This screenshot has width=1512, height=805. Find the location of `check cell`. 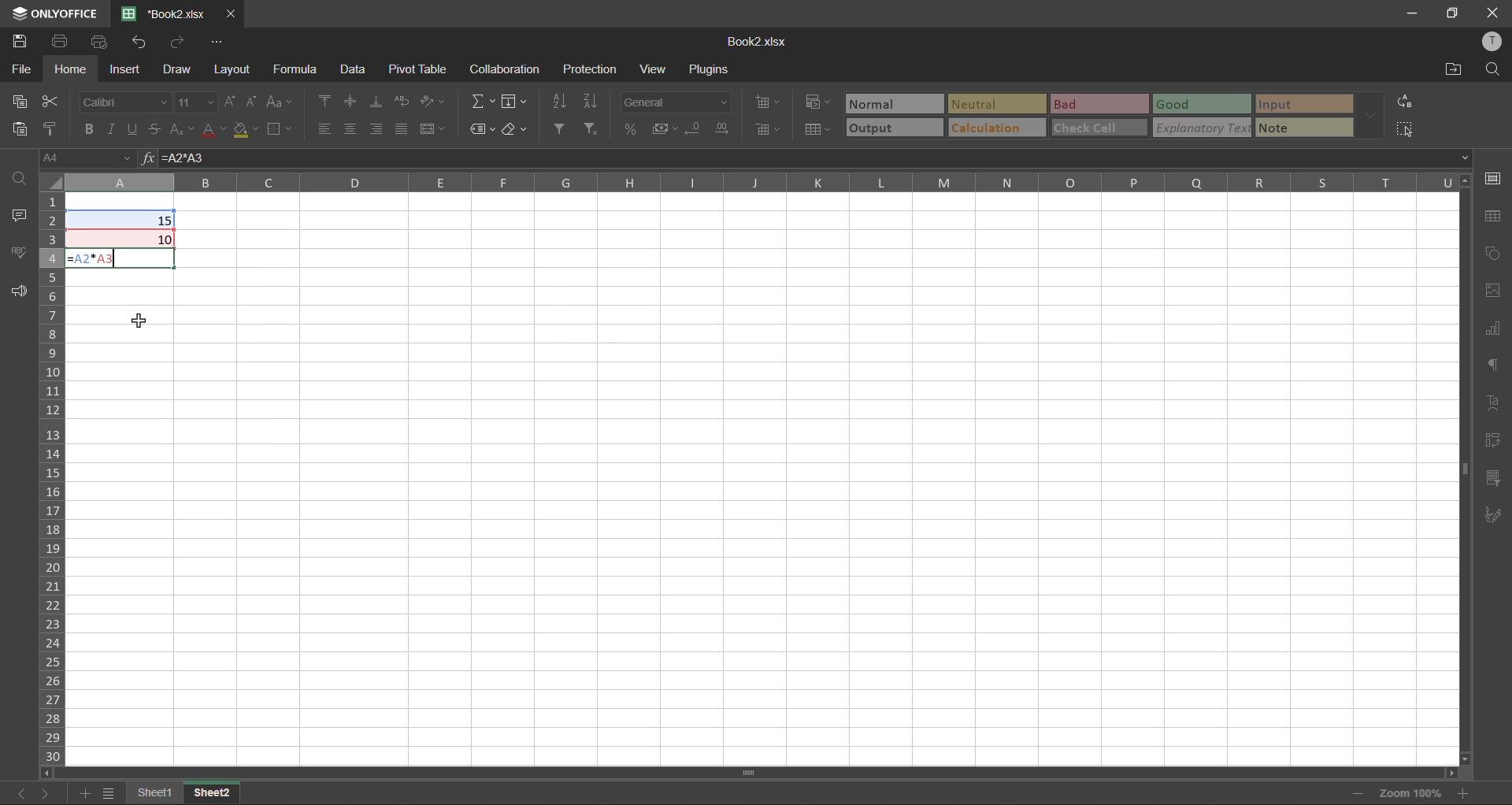

check cell is located at coordinates (1099, 127).